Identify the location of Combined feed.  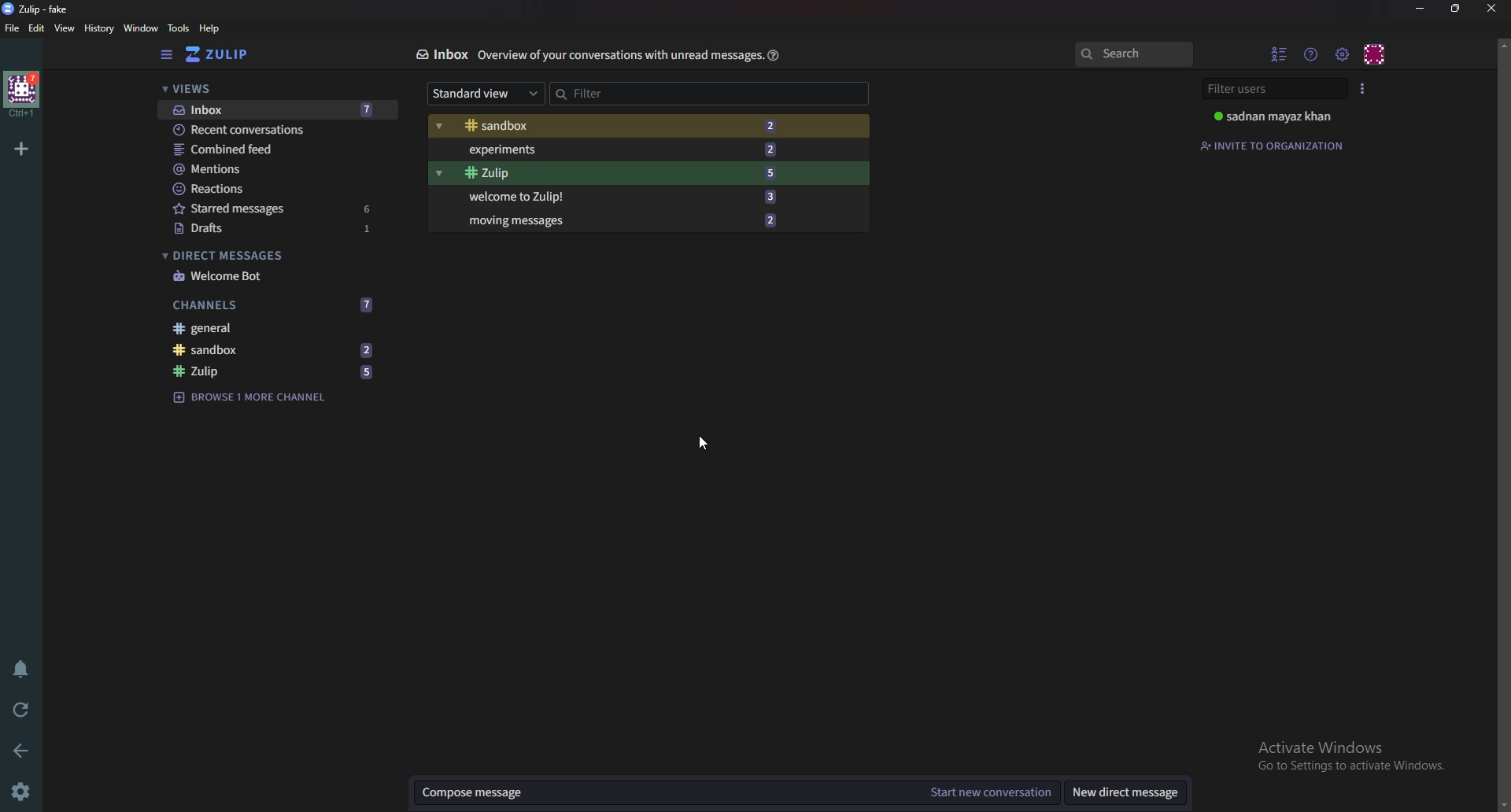
(272, 149).